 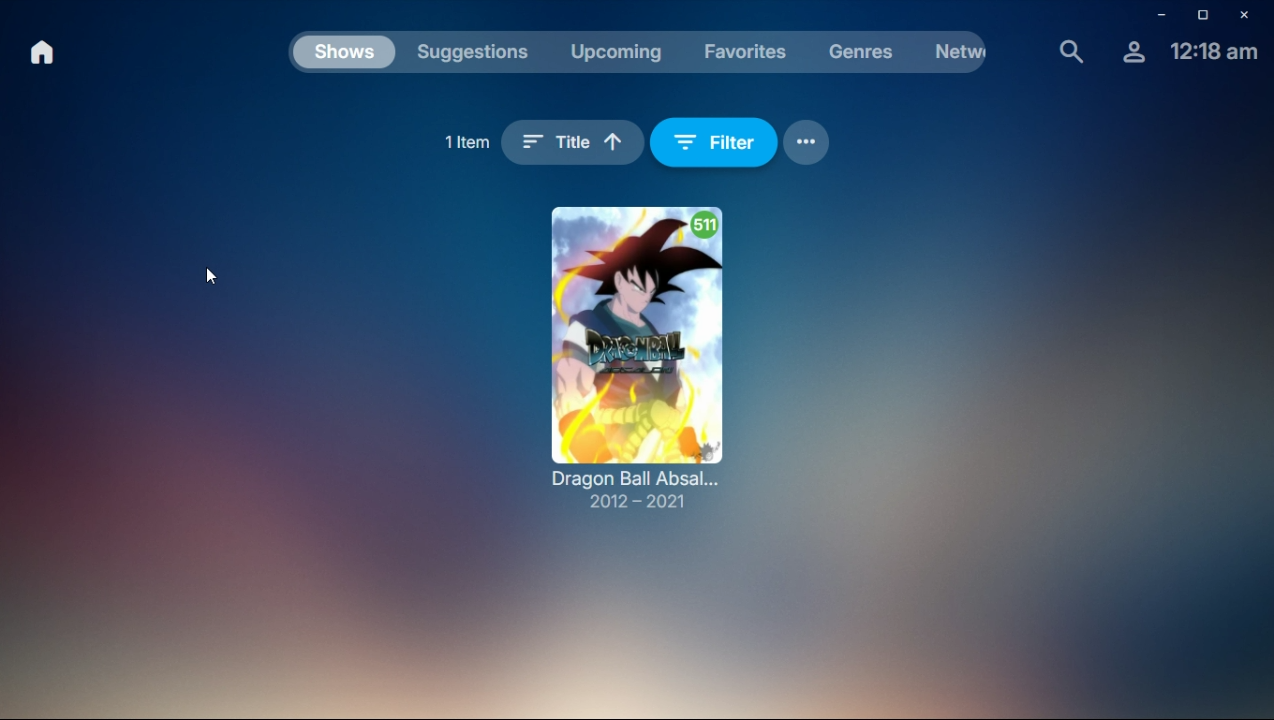 What do you see at coordinates (813, 139) in the screenshot?
I see `more` at bounding box center [813, 139].